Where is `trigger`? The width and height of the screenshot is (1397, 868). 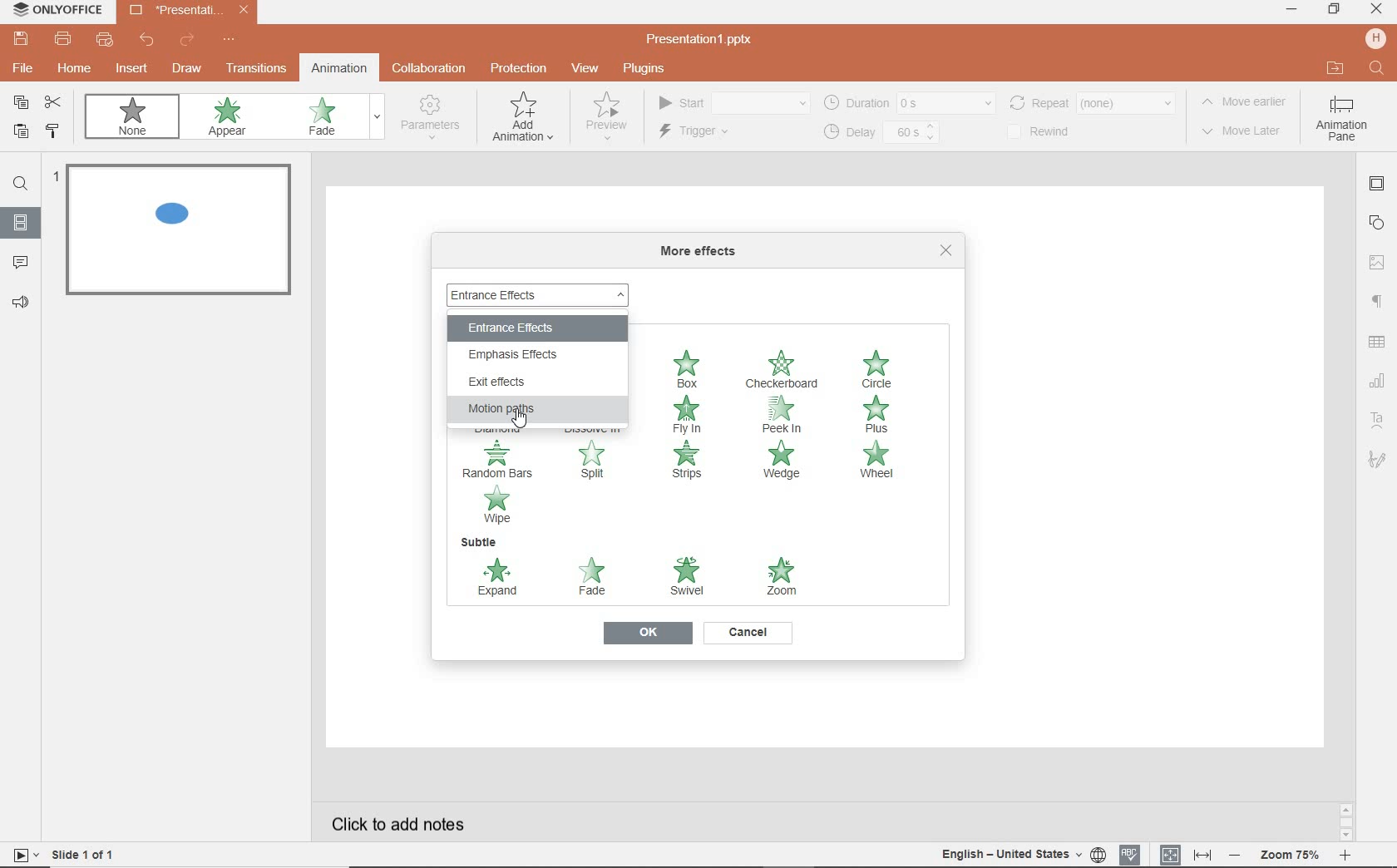
trigger is located at coordinates (716, 133).